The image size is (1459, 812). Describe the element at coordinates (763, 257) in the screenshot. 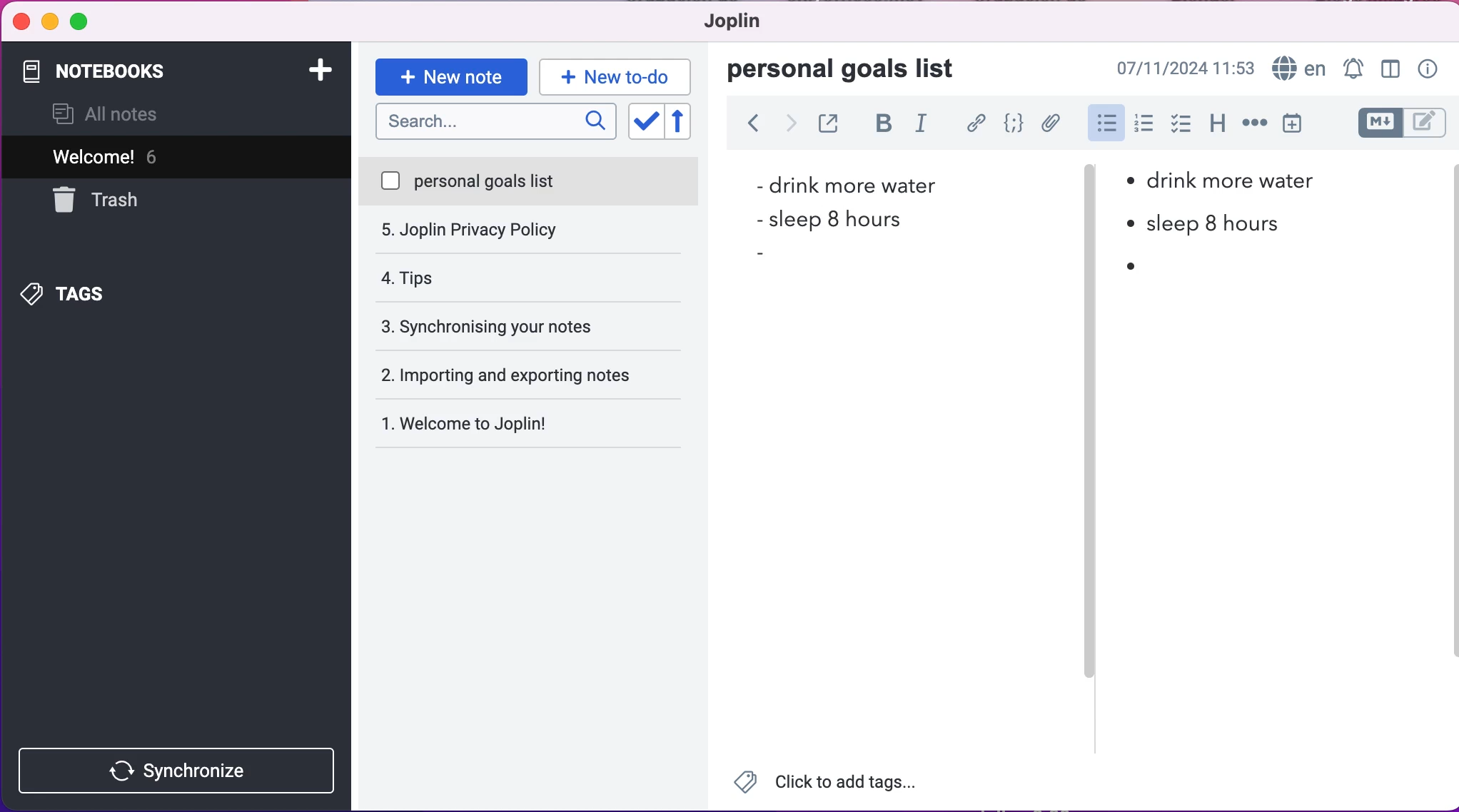

I see `bullet point 3` at that location.